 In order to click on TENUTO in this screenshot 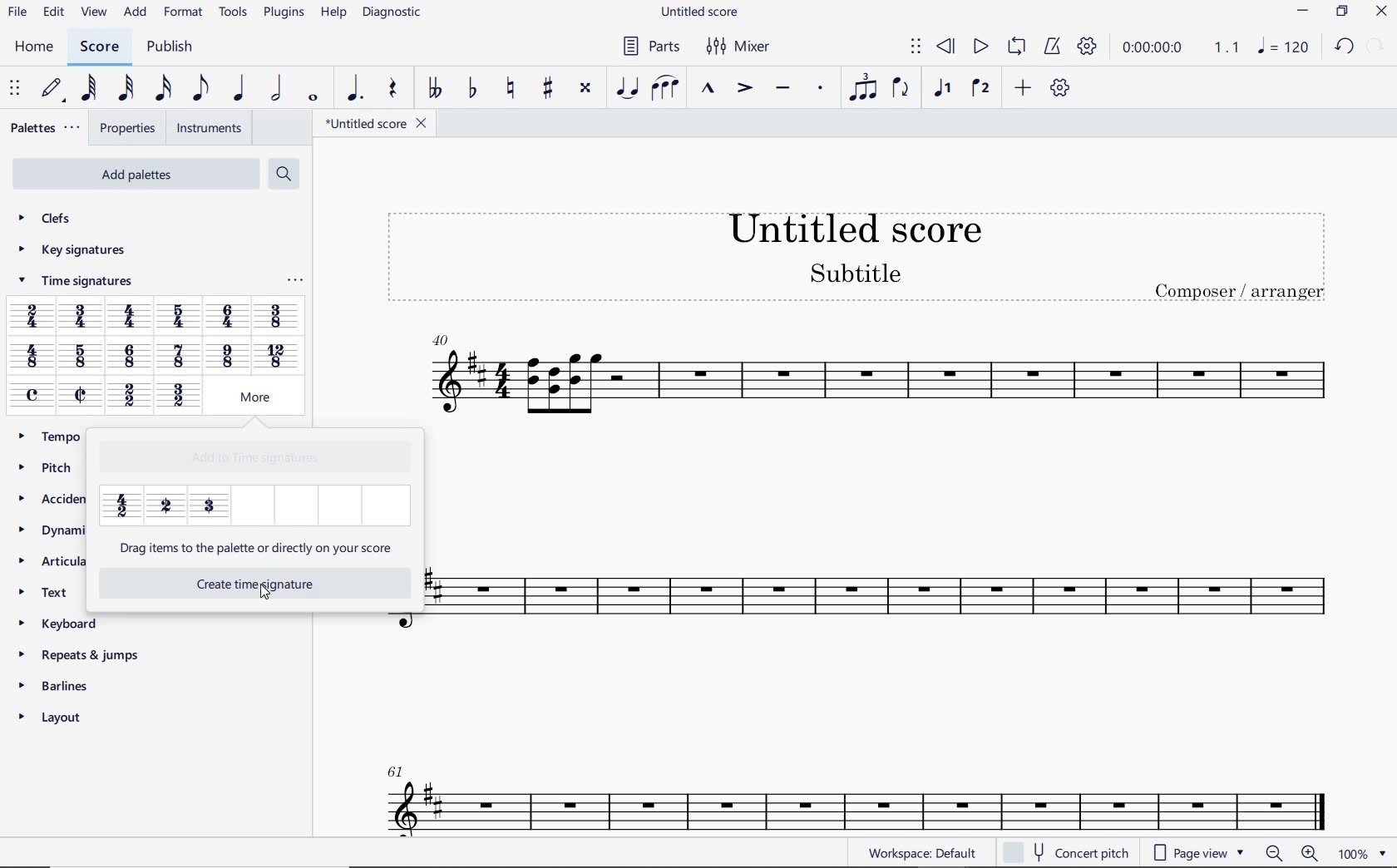, I will do `click(782, 89)`.